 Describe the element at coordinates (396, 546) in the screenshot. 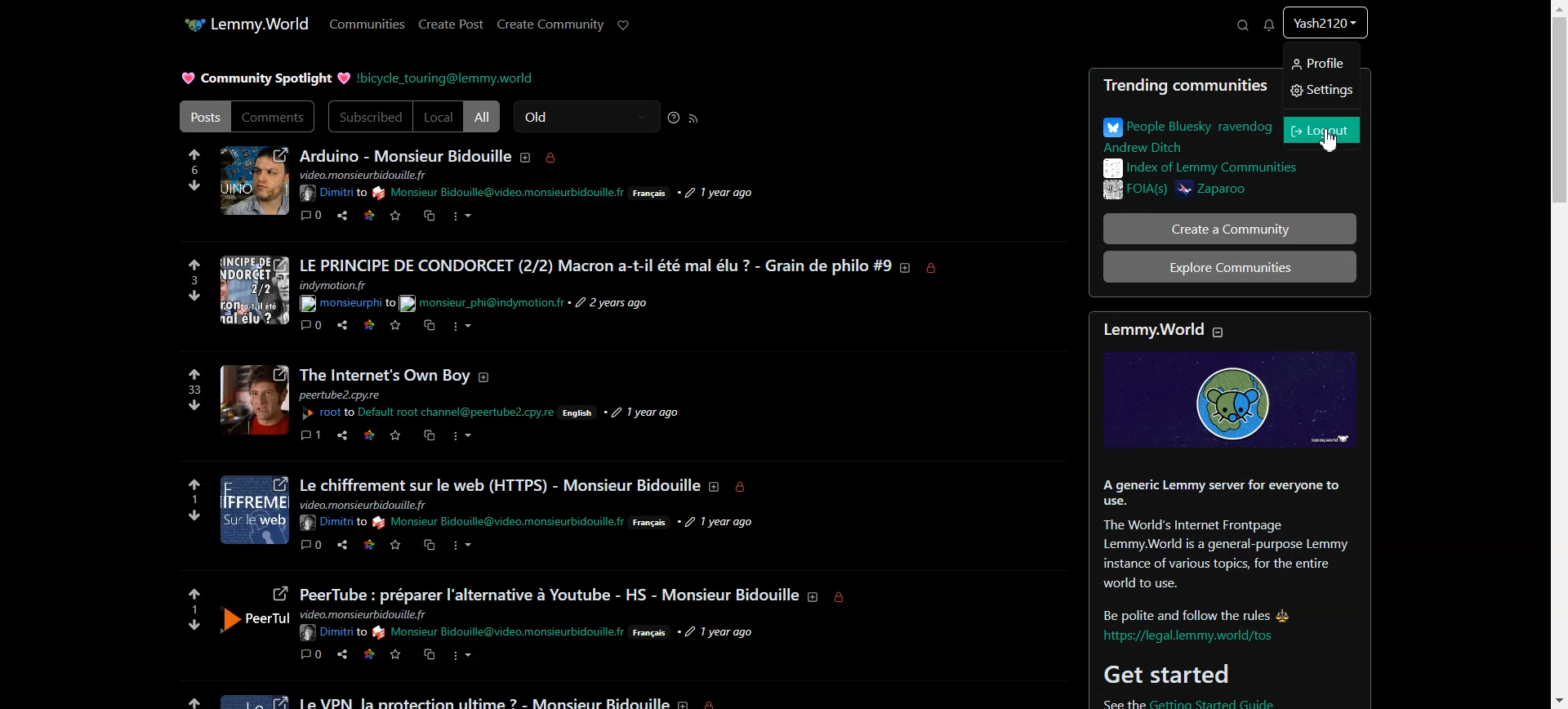

I see `save` at that location.